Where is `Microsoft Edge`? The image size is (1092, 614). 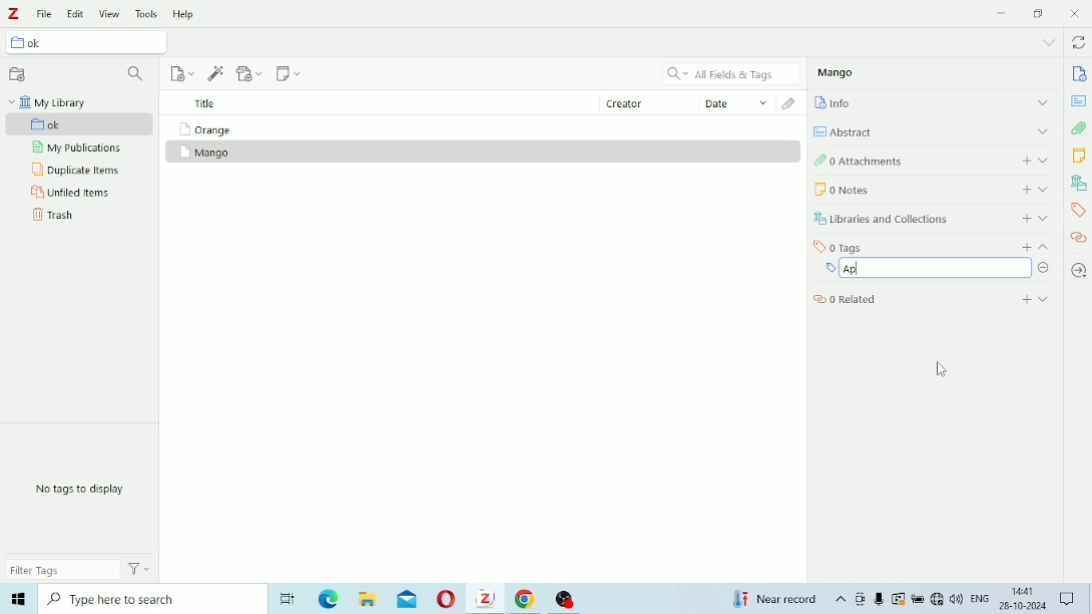
Microsoft Edge is located at coordinates (328, 600).